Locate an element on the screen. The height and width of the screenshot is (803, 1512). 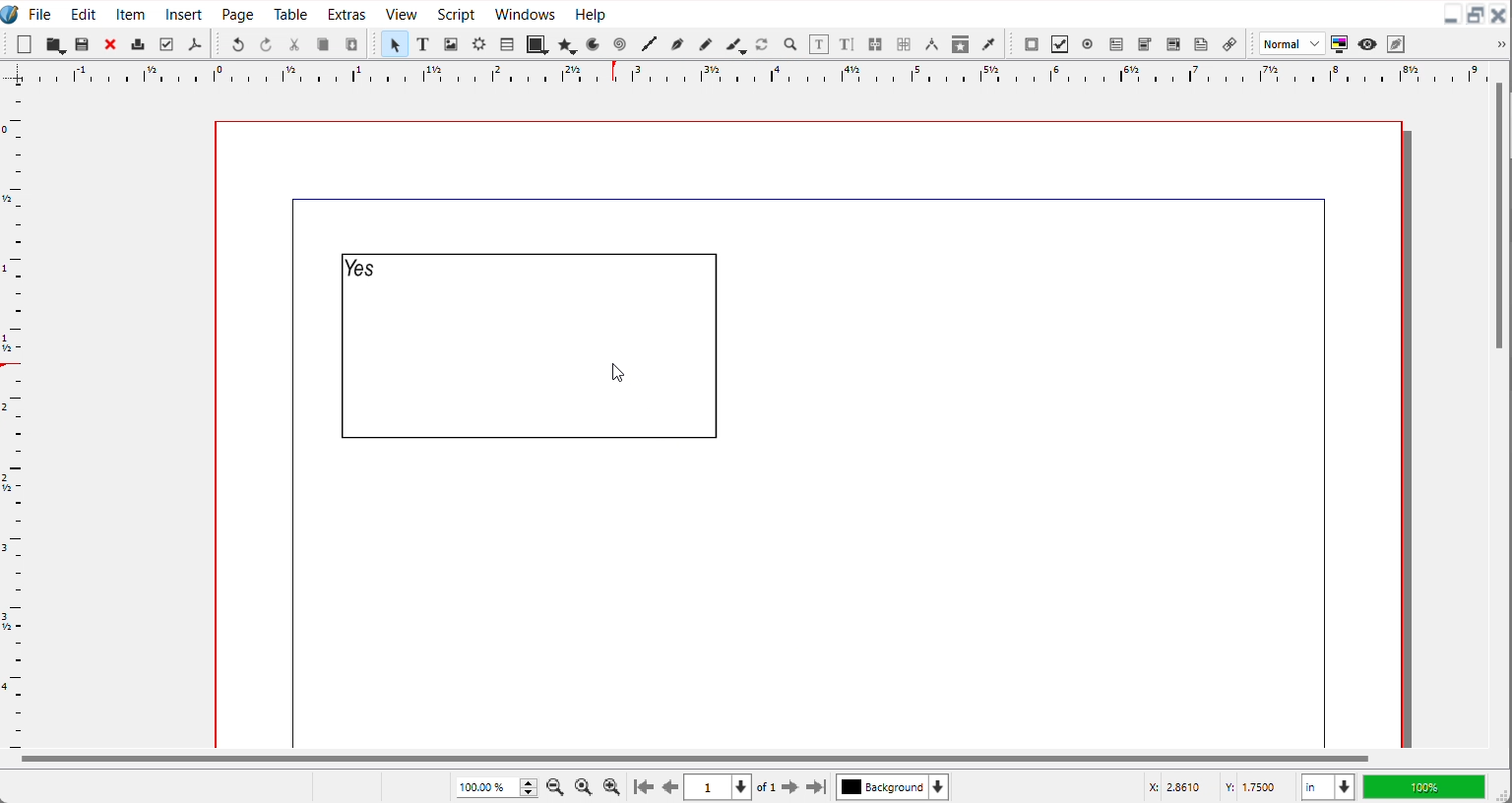
Script is located at coordinates (458, 13).